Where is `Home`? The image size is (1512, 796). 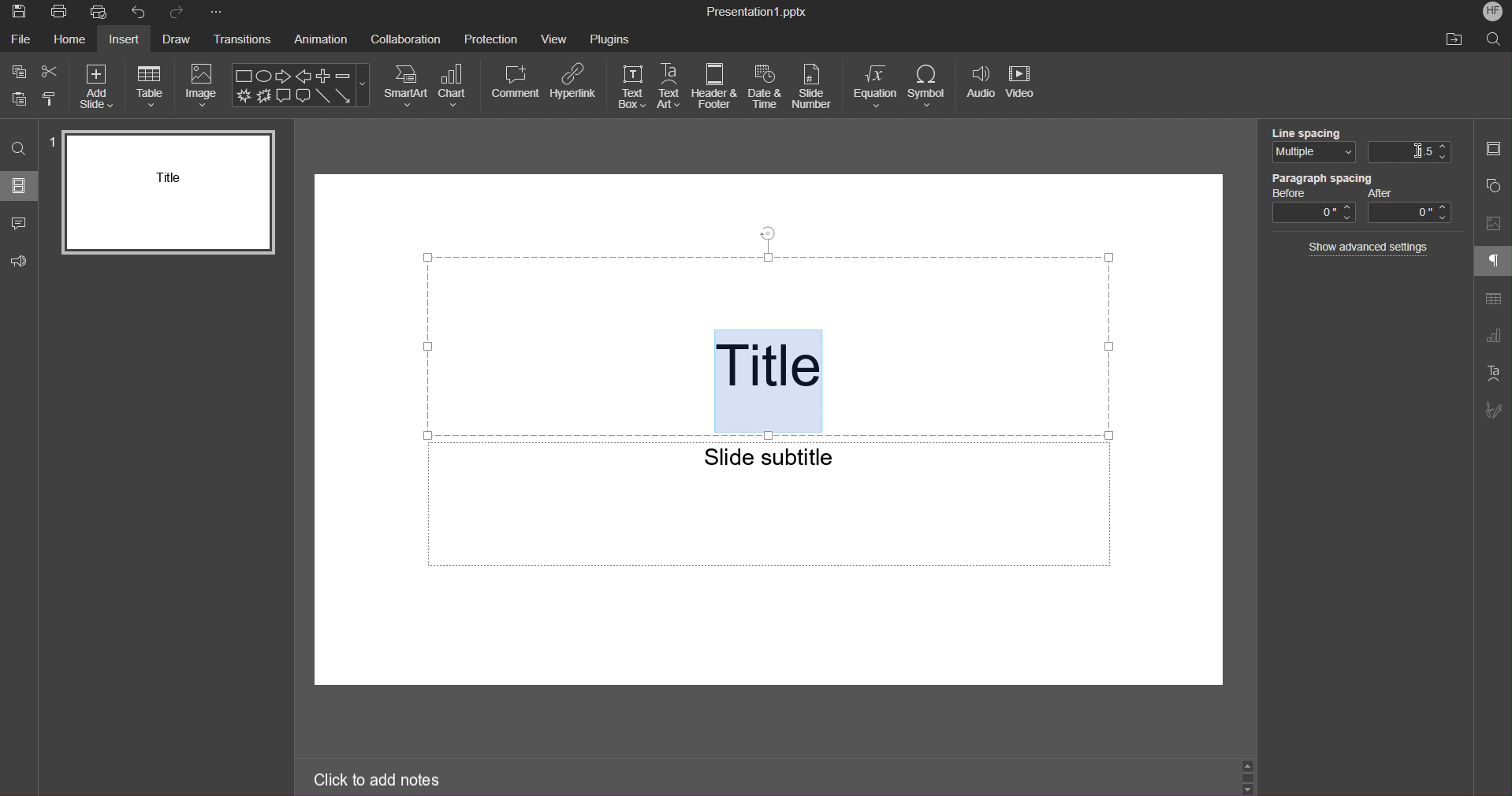
Home is located at coordinates (70, 42).